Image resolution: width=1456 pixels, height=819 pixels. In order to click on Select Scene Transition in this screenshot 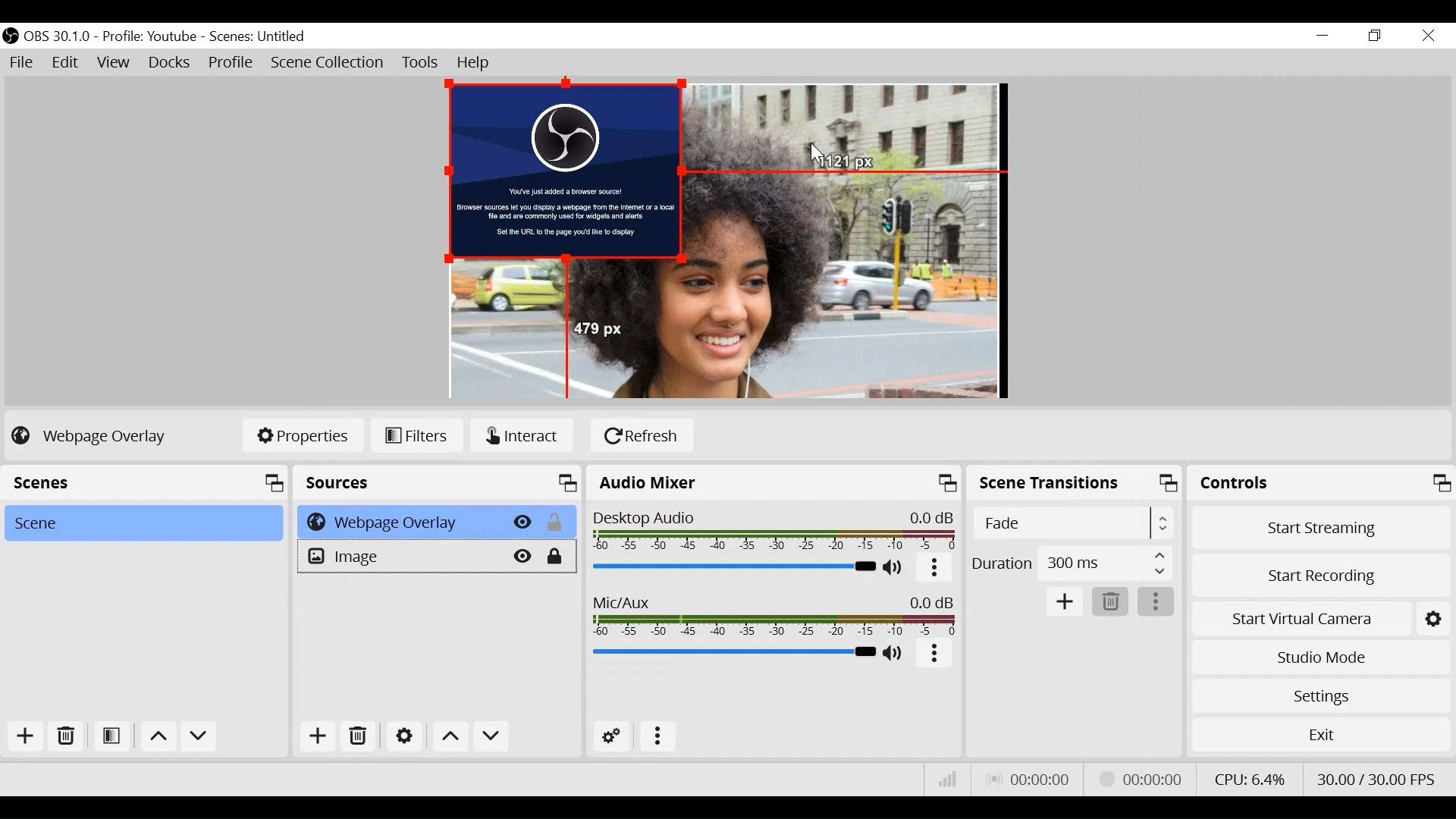, I will do `click(1072, 521)`.